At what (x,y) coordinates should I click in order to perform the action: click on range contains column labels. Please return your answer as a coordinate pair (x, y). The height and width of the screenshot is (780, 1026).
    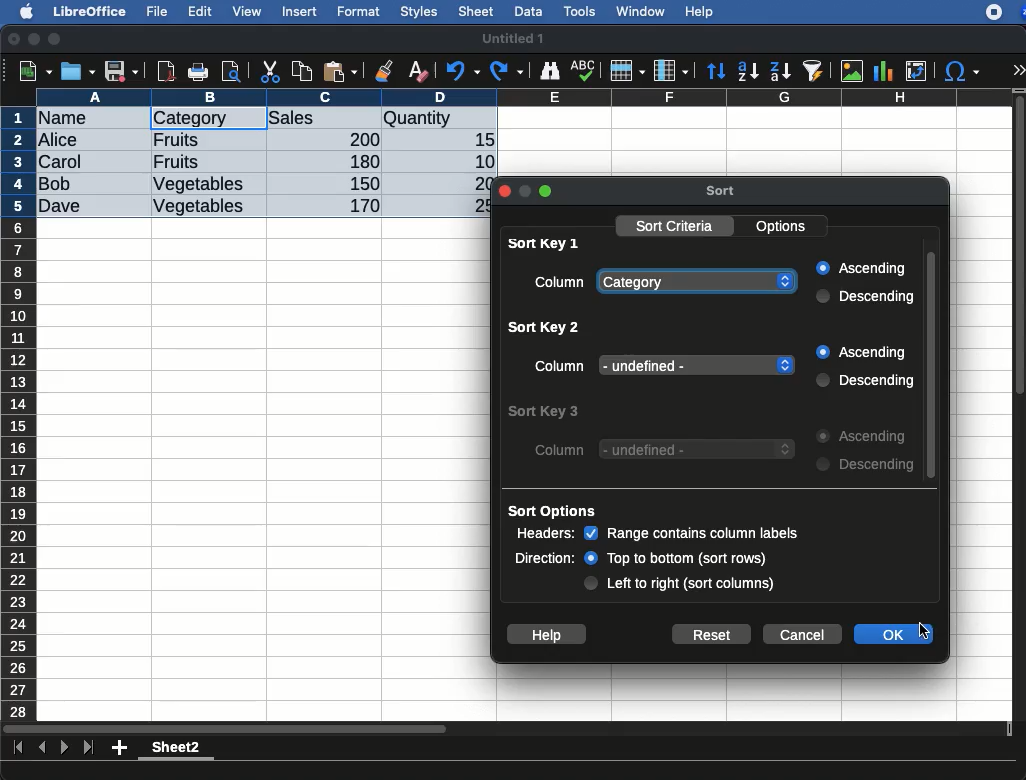
    Looking at the image, I should click on (692, 532).